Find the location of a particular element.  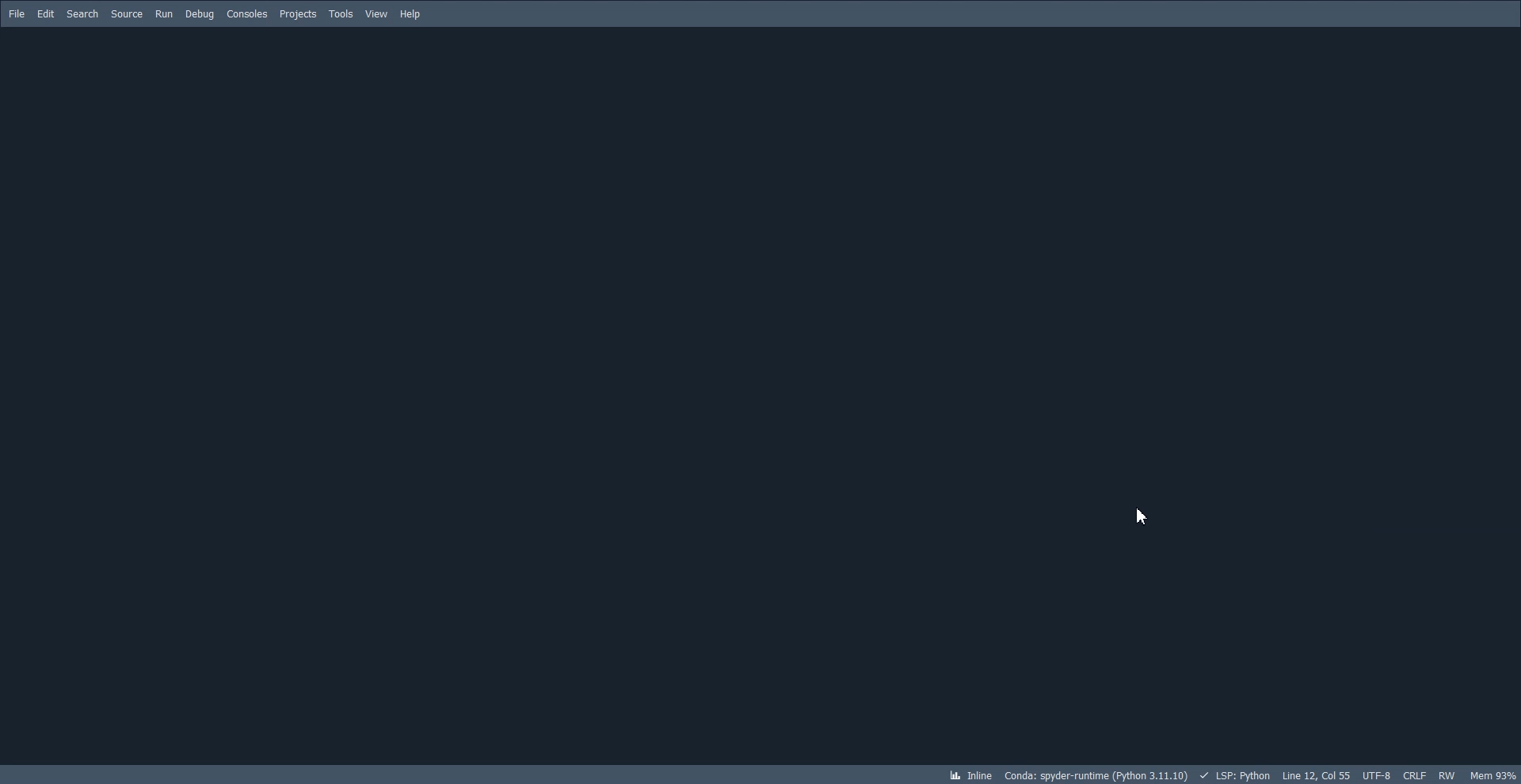

Consoles is located at coordinates (247, 13).